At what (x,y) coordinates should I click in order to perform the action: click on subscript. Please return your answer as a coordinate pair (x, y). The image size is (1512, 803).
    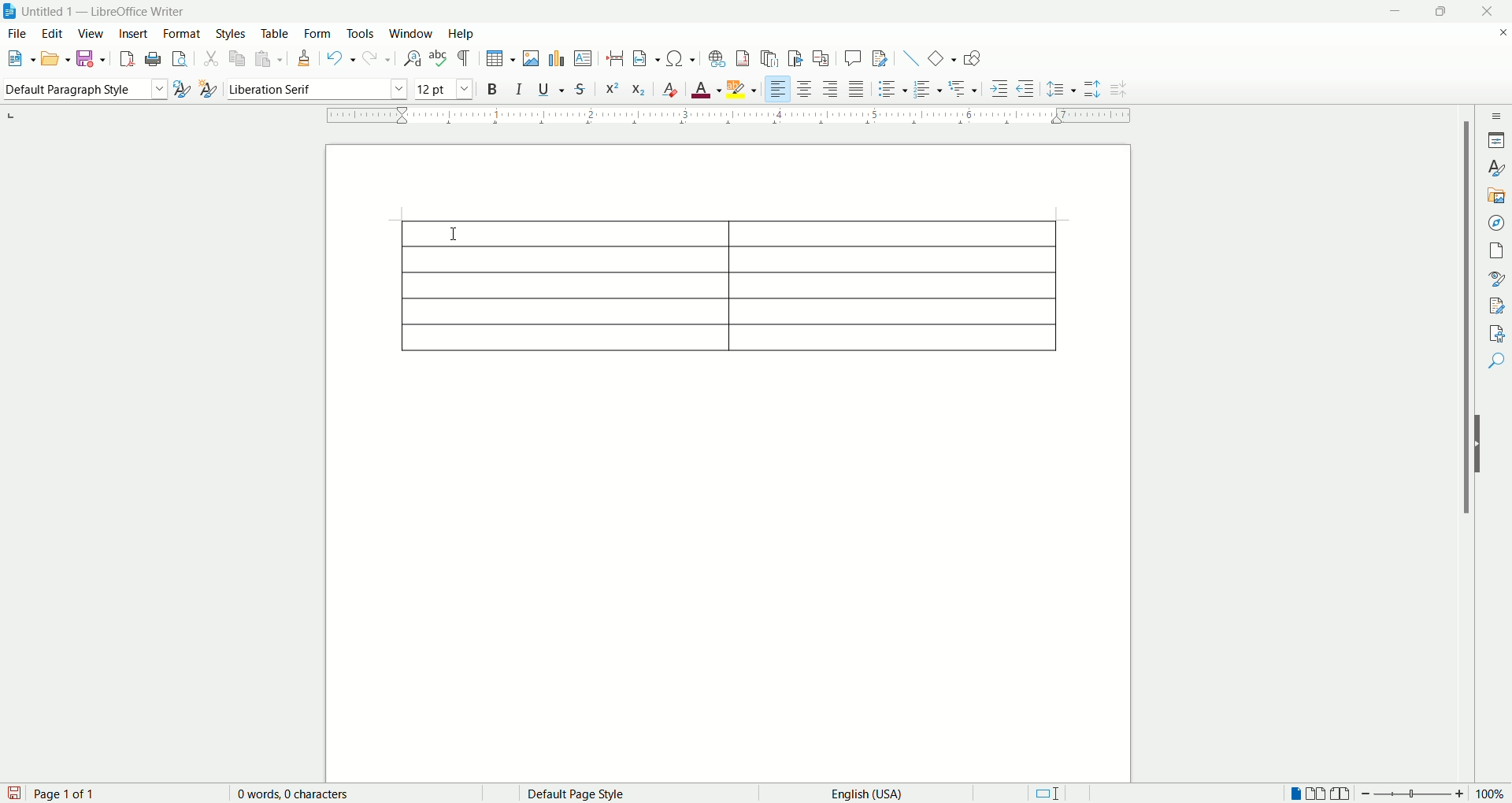
    Looking at the image, I should click on (639, 87).